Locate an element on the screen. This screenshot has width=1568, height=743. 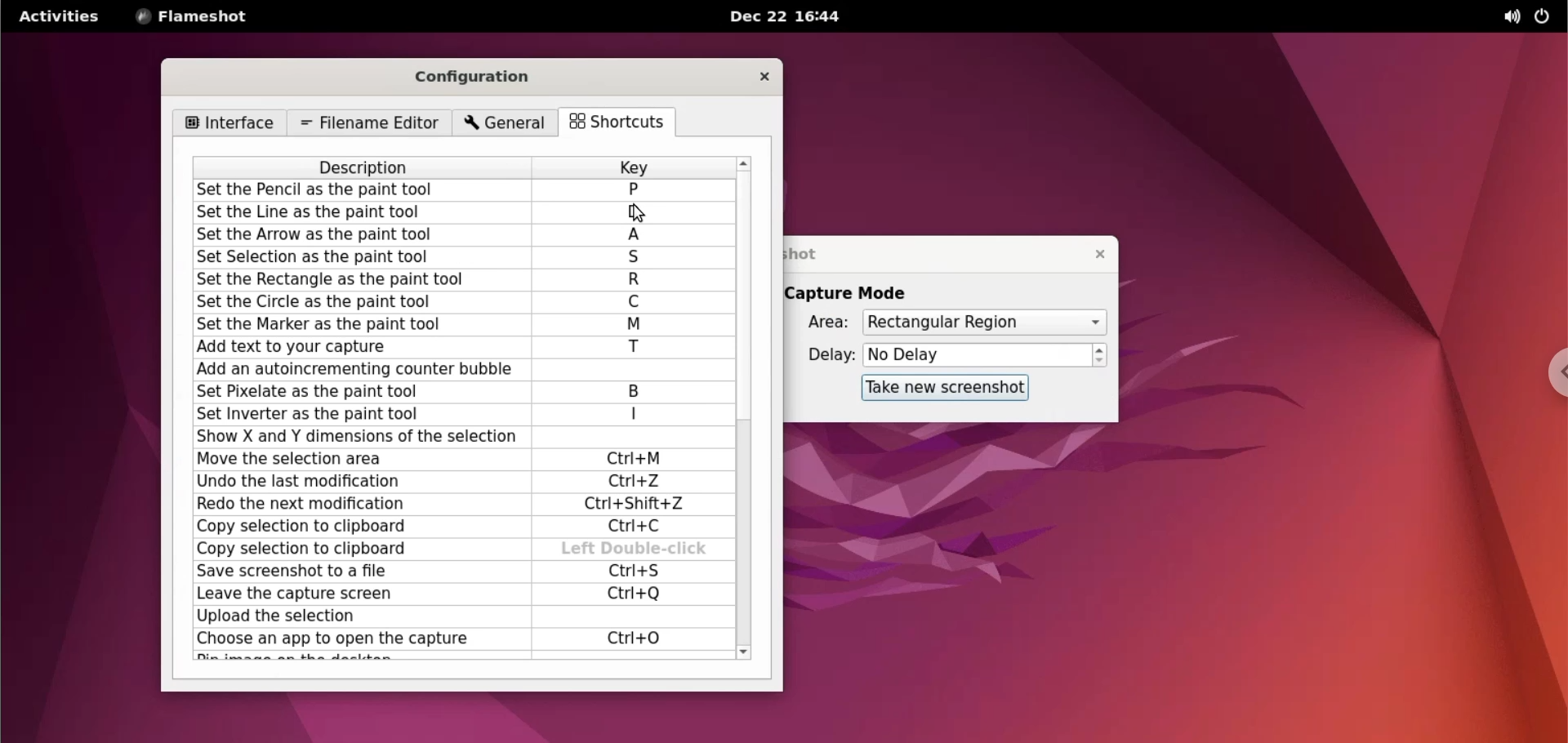
set pixelate as the paint tool is located at coordinates (351, 392).